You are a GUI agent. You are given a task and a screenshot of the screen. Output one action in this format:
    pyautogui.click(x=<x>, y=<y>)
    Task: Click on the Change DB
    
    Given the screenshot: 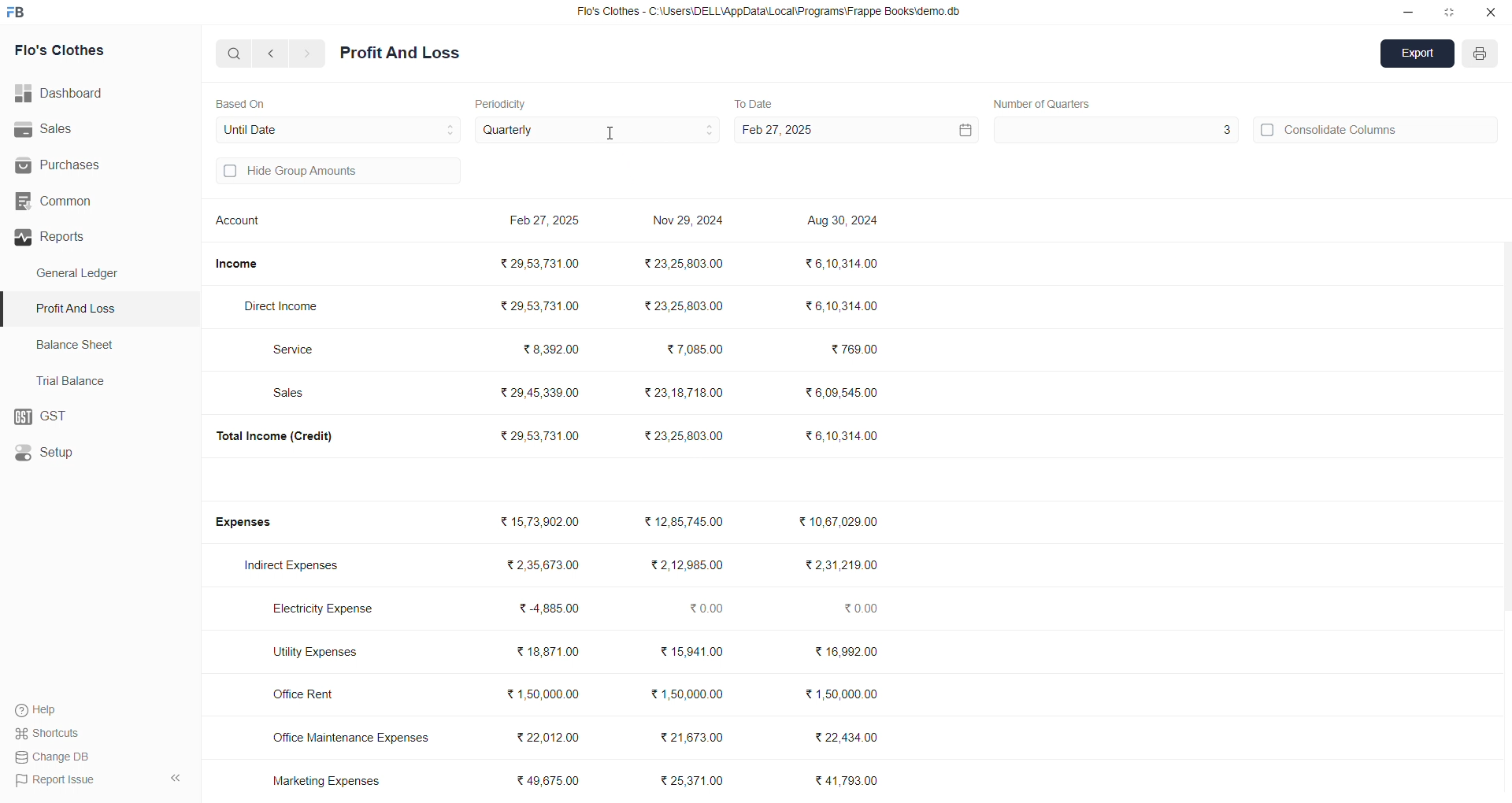 What is the action you would take?
    pyautogui.click(x=56, y=757)
    